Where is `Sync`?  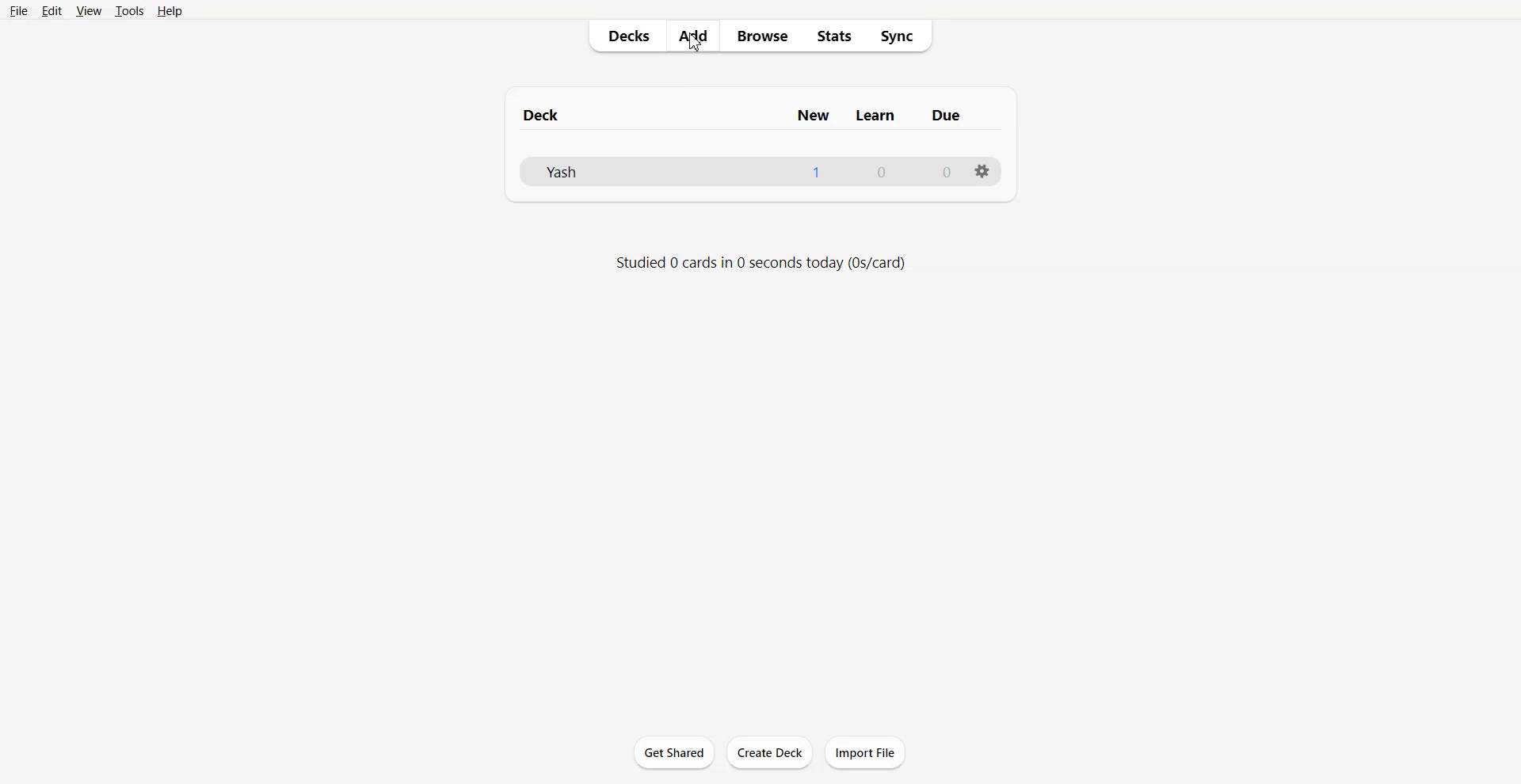
Sync is located at coordinates (902, 36).